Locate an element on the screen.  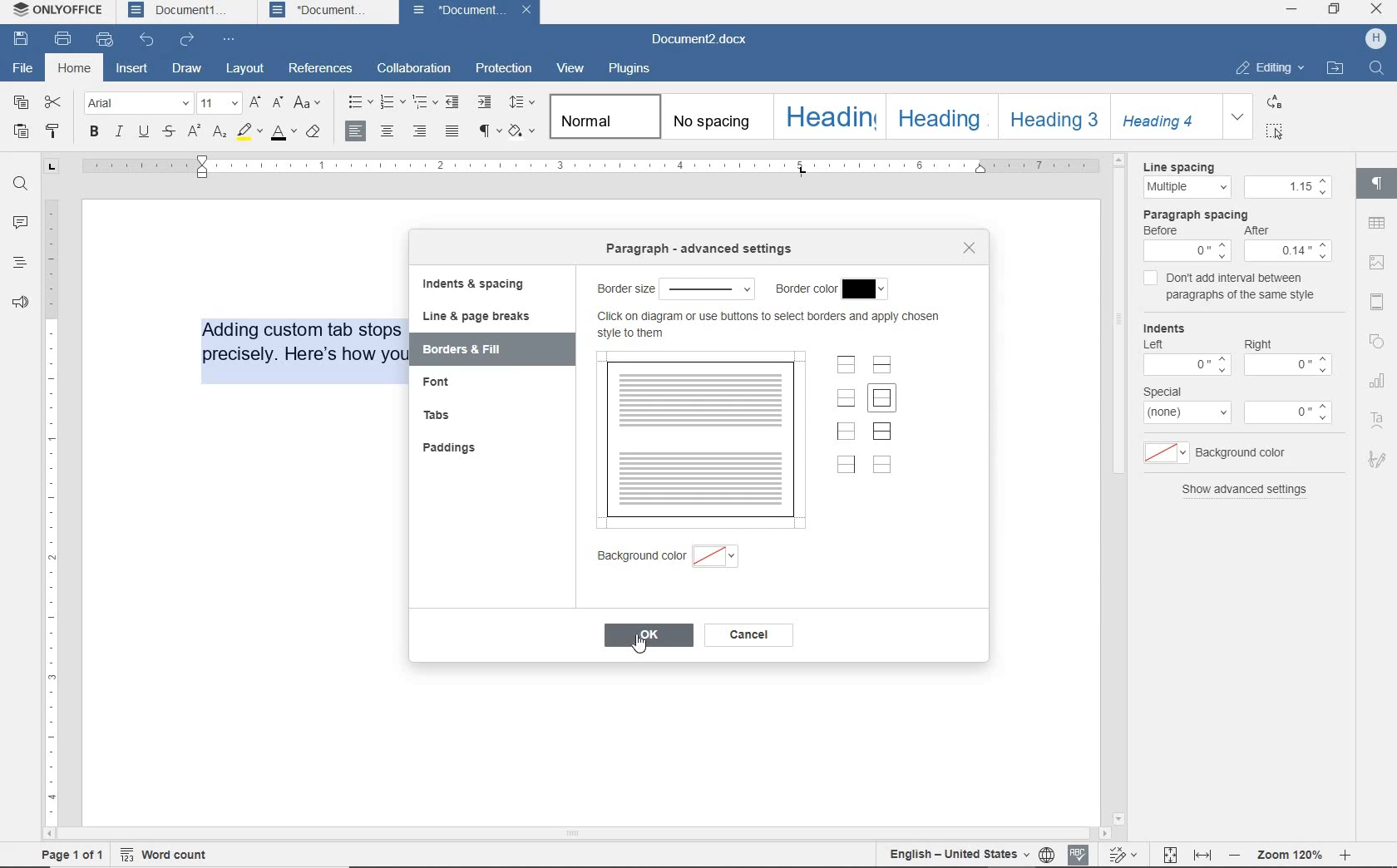
special is located at coordinates (1169, 391).